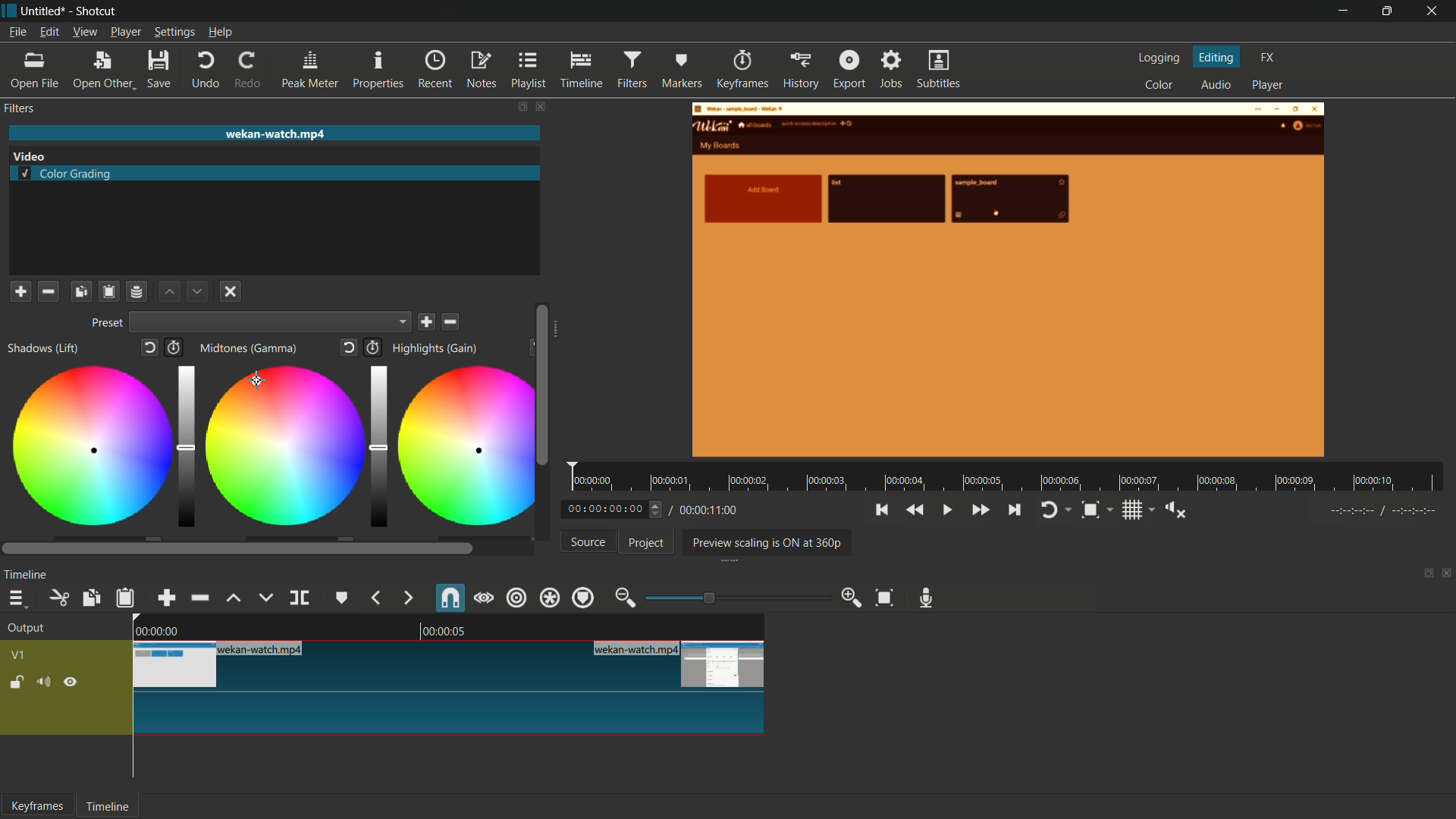  I want to click on timeline menu, so click(20, 598).